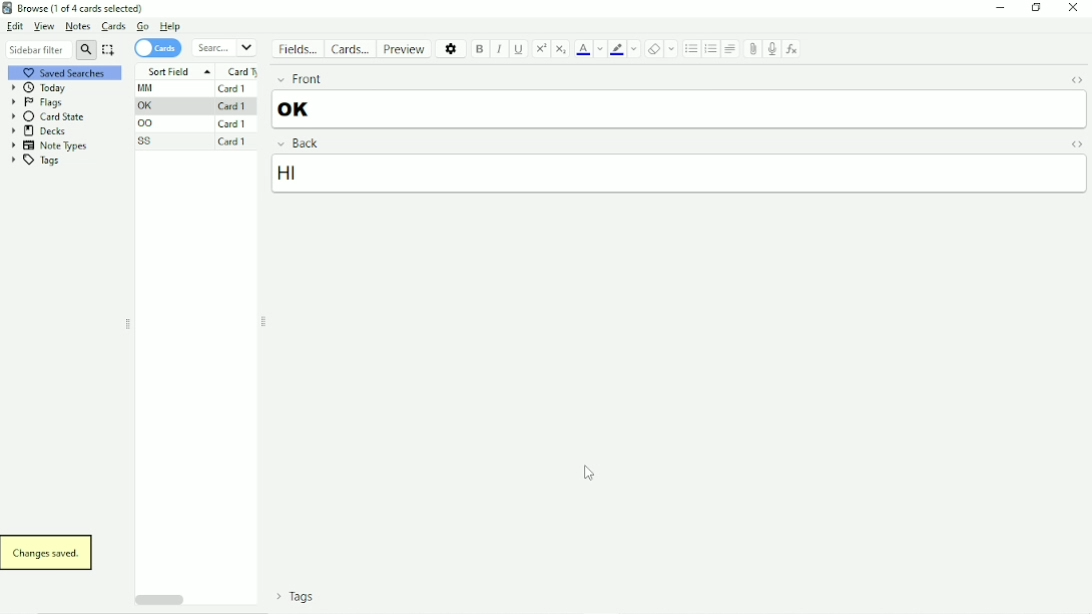 The width and height of the screenshot is (1092, 614). What do you see at coordinates (754, 49) in the screenshot?
I see `Attach picture/audio/video` at bounding box center [754, 49].